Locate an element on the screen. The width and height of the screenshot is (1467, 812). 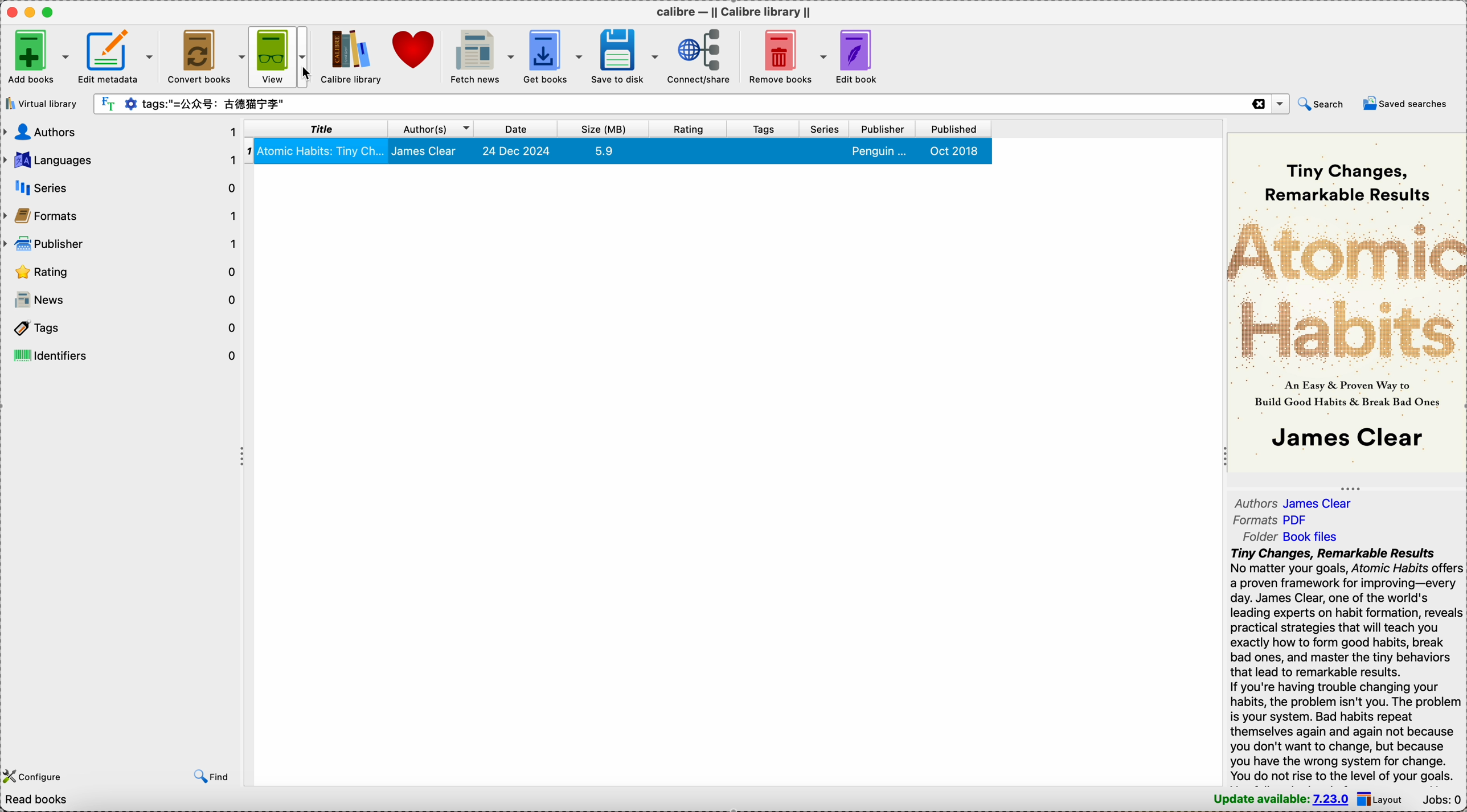
edit book is located at coordinates (858, 58).